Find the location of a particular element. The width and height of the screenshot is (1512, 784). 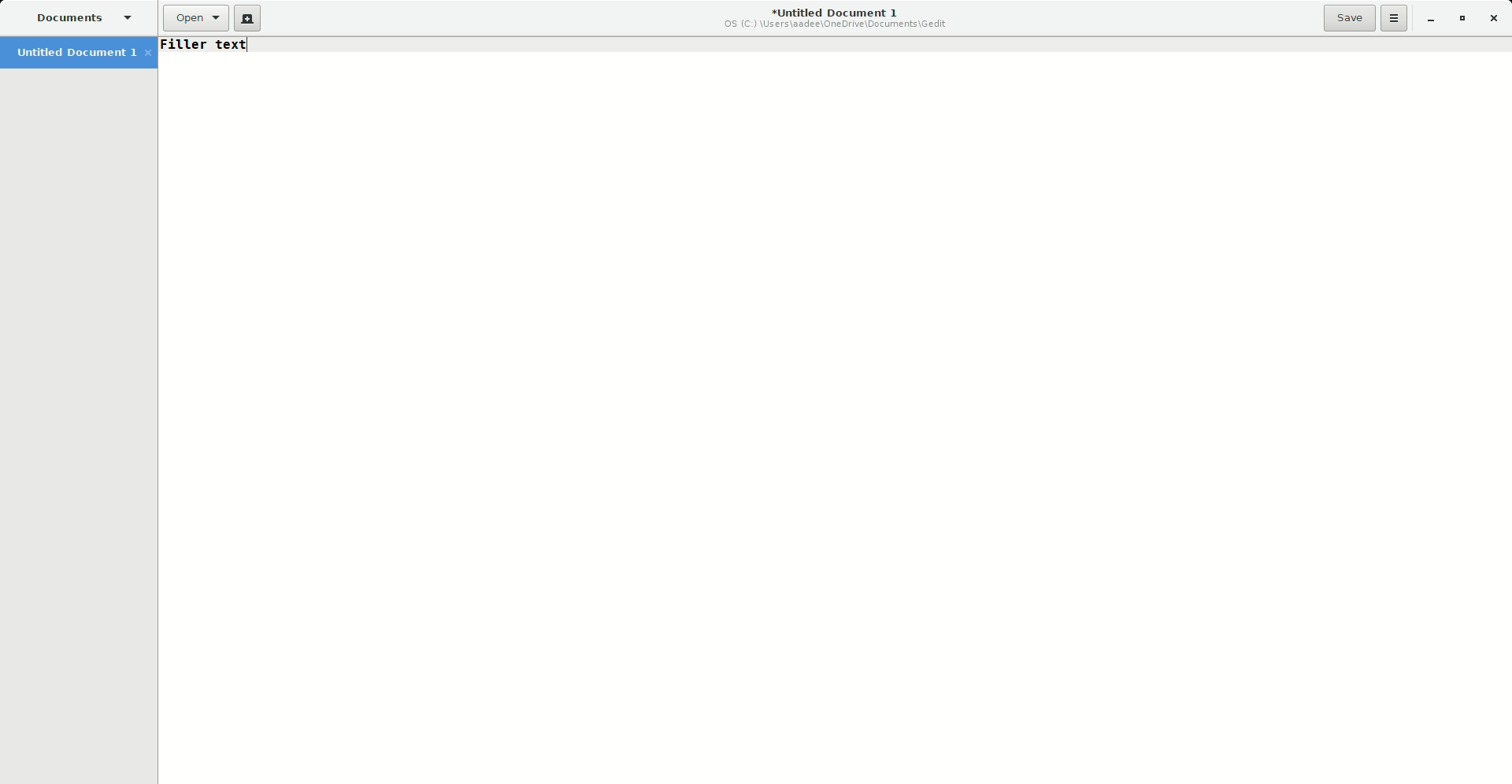

Minimize is located at coordinates (1430, 20).